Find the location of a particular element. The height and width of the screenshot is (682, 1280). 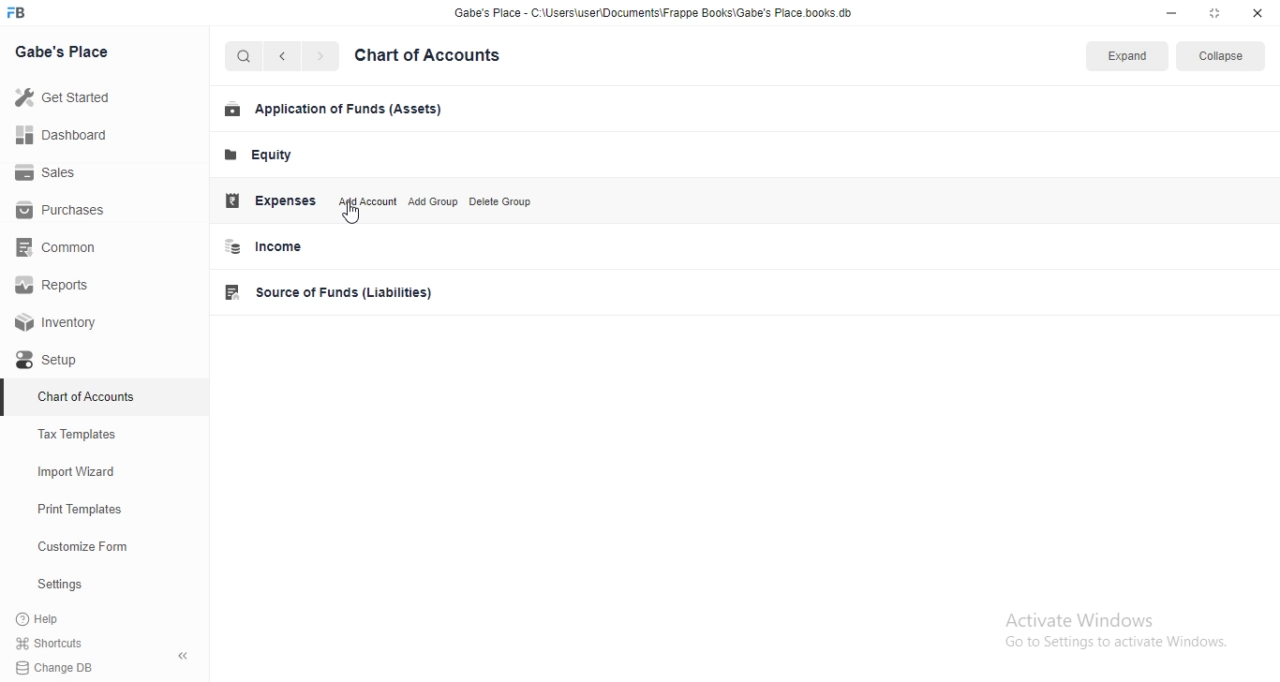

close is located at coordinates (1259, 13).